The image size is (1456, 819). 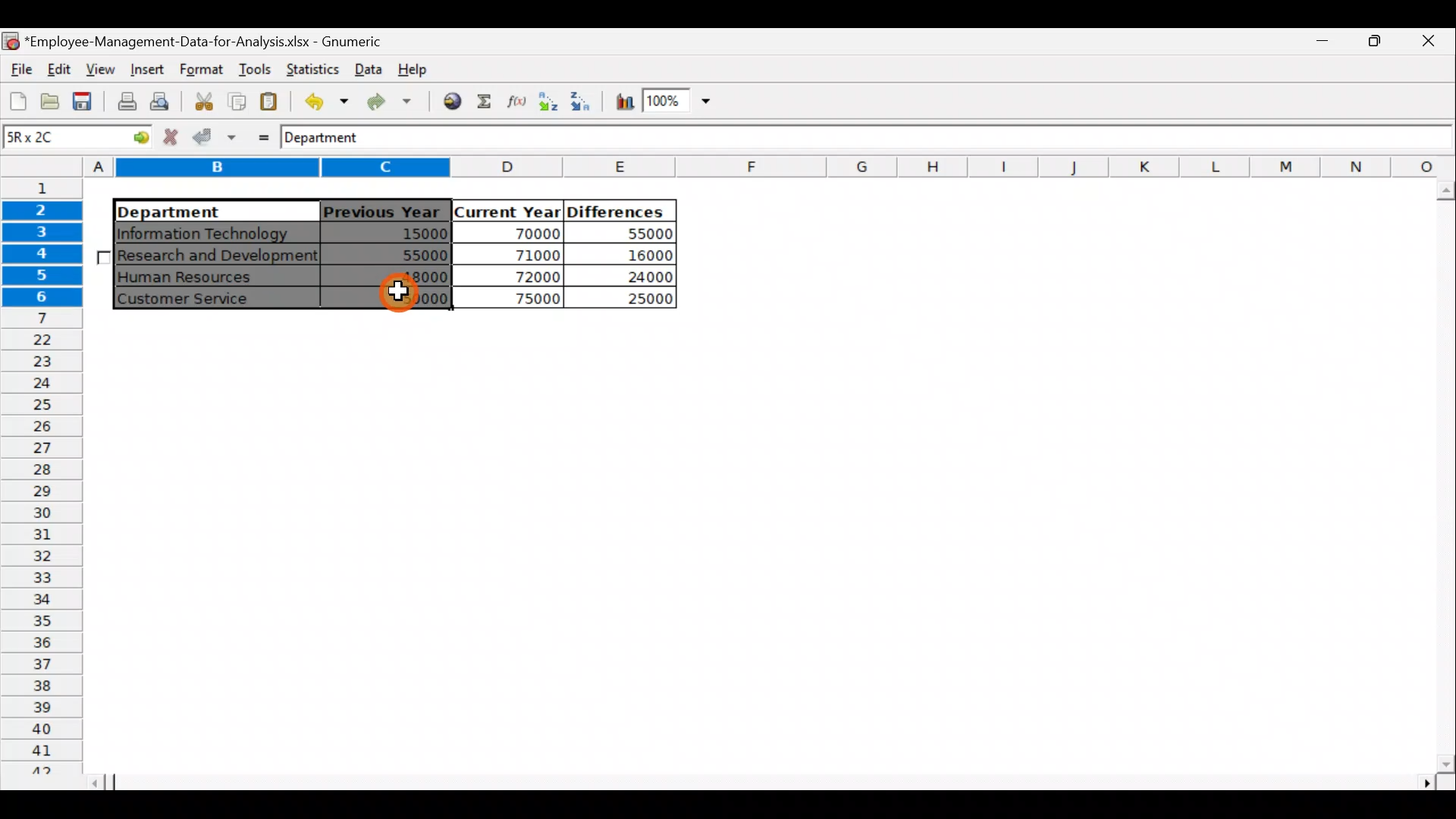 I want to click on Sort in Ascending order, so click(x=548, y=101).